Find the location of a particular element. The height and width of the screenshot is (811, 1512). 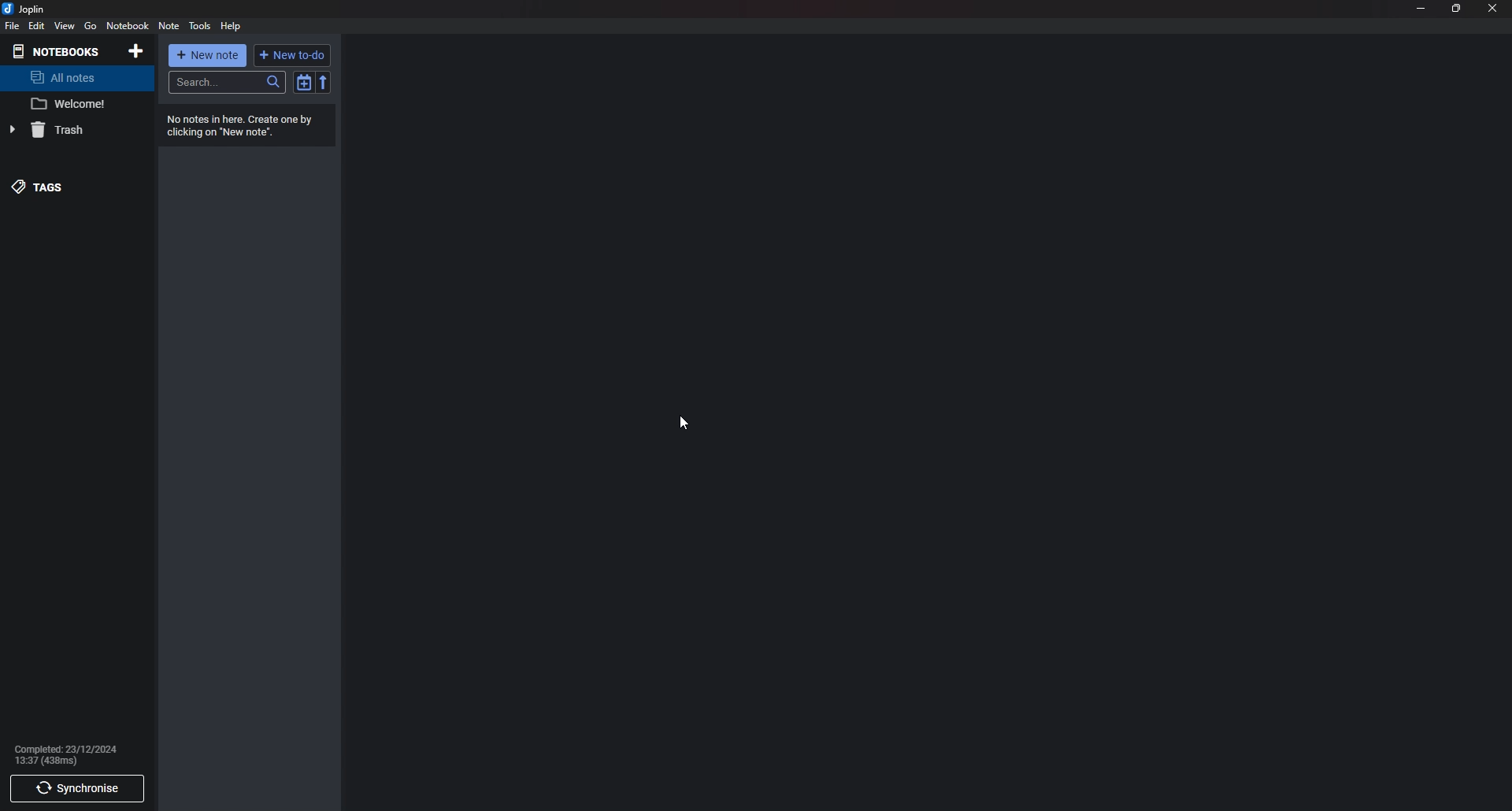

Notebook is located at coordinates (126, 25).